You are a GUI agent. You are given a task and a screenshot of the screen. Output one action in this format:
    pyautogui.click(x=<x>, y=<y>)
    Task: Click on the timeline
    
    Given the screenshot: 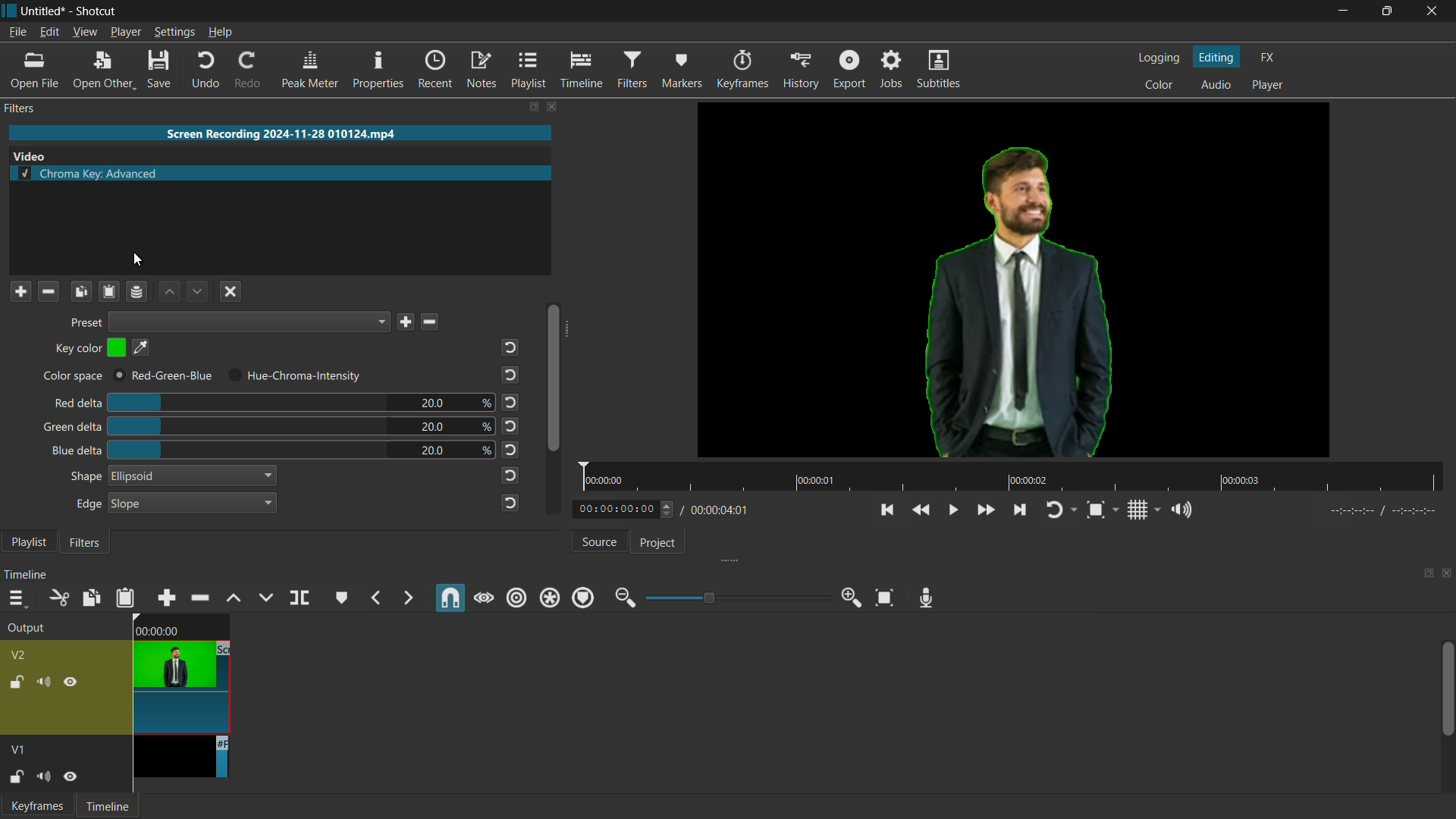 What is the action you would take?
    pyautogui.click(x=581, y=71)
    